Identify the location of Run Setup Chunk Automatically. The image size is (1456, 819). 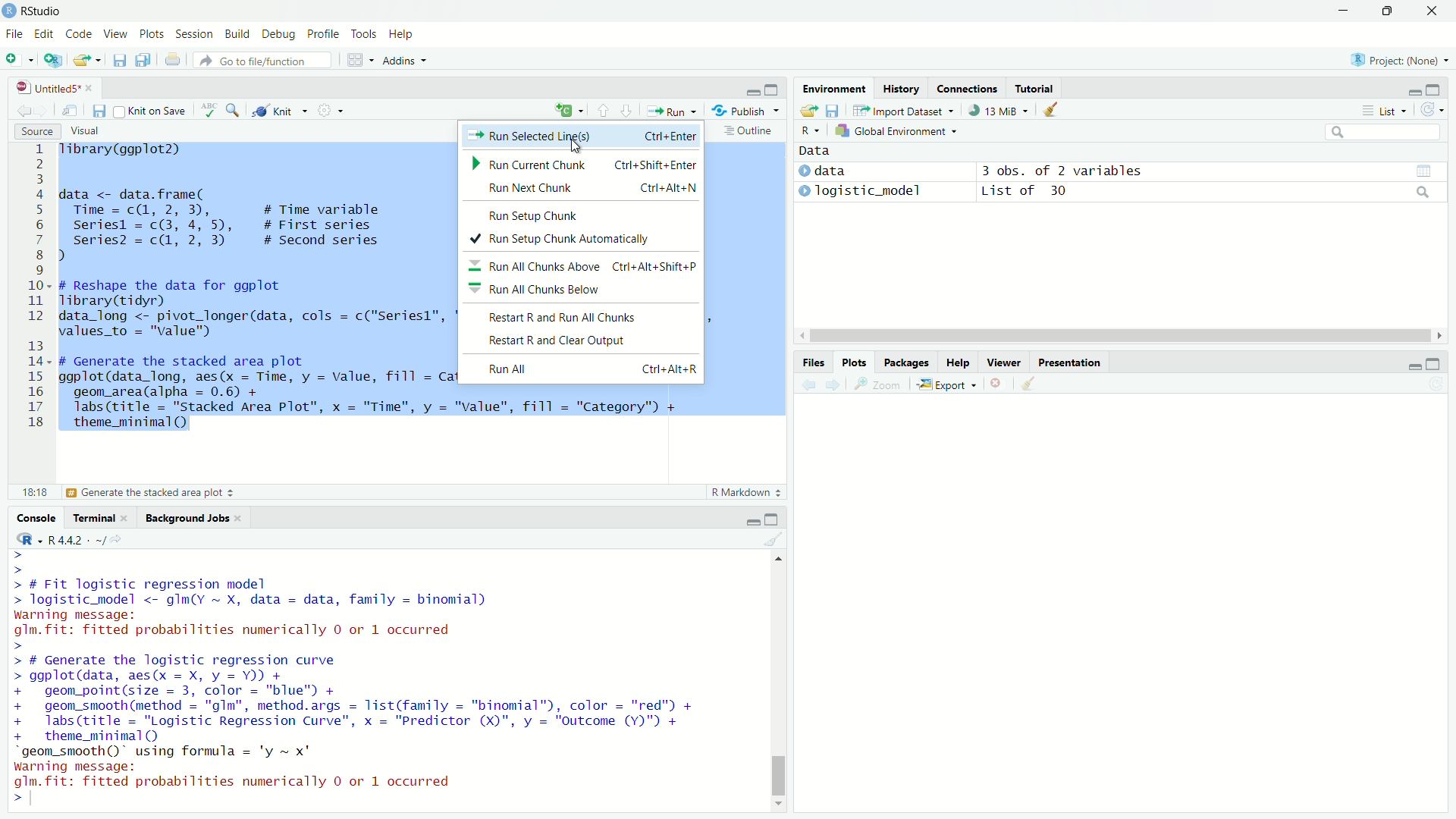
(578, 238).